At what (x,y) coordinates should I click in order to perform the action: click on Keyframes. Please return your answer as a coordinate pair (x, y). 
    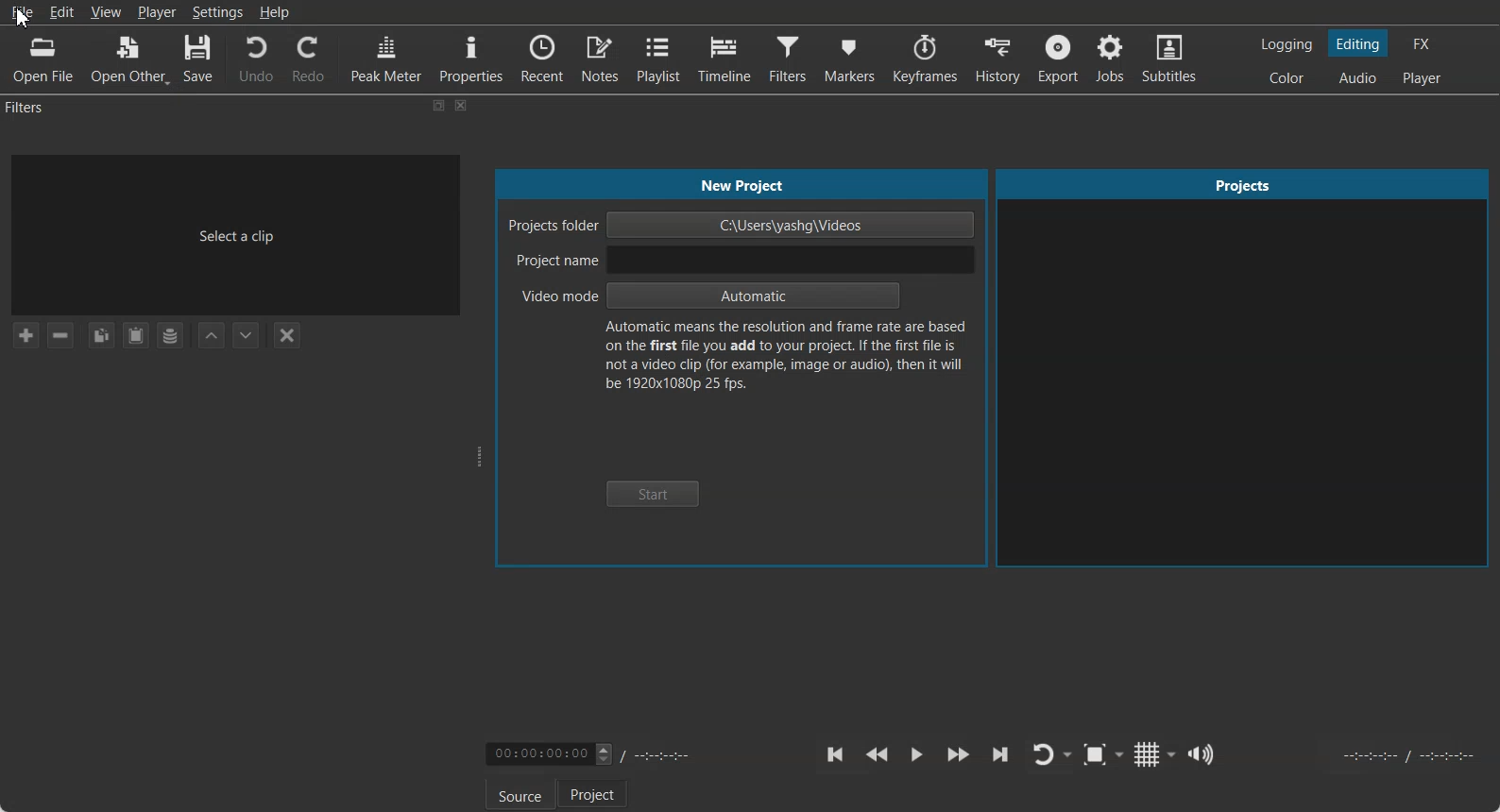
    Looking at the image, I should click on (925, 58).